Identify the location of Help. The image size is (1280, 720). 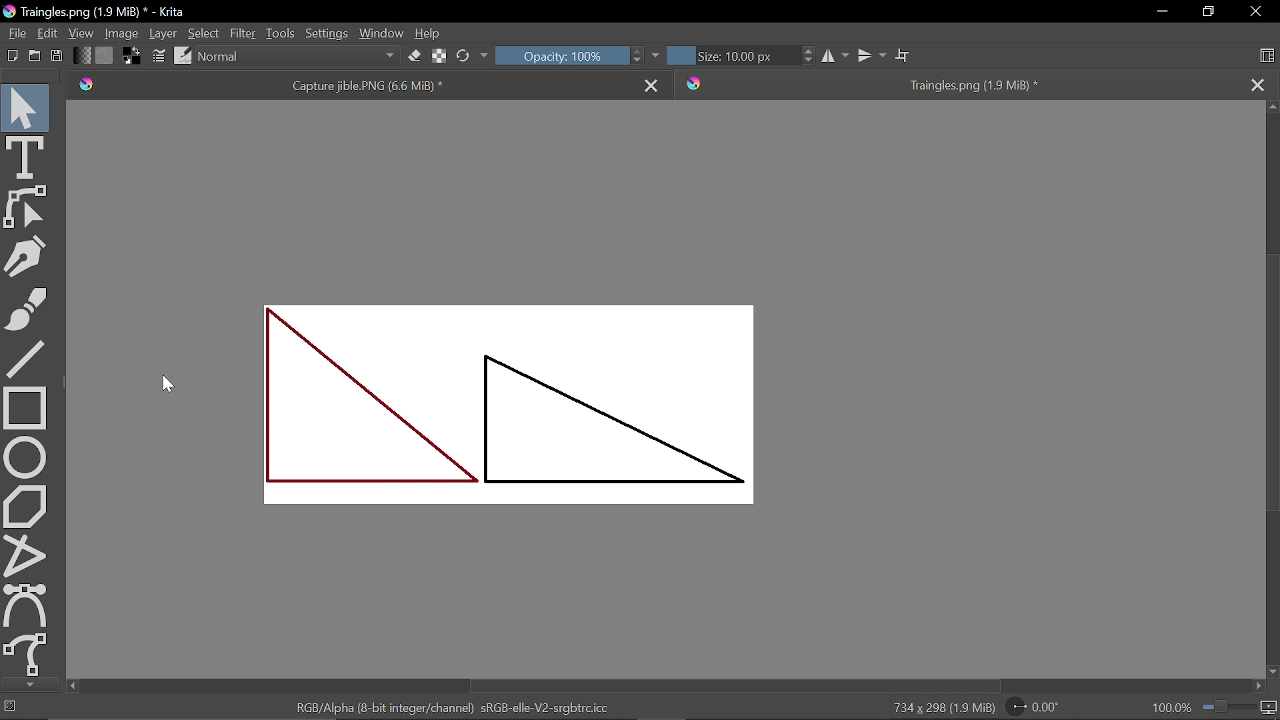
(430, 32).